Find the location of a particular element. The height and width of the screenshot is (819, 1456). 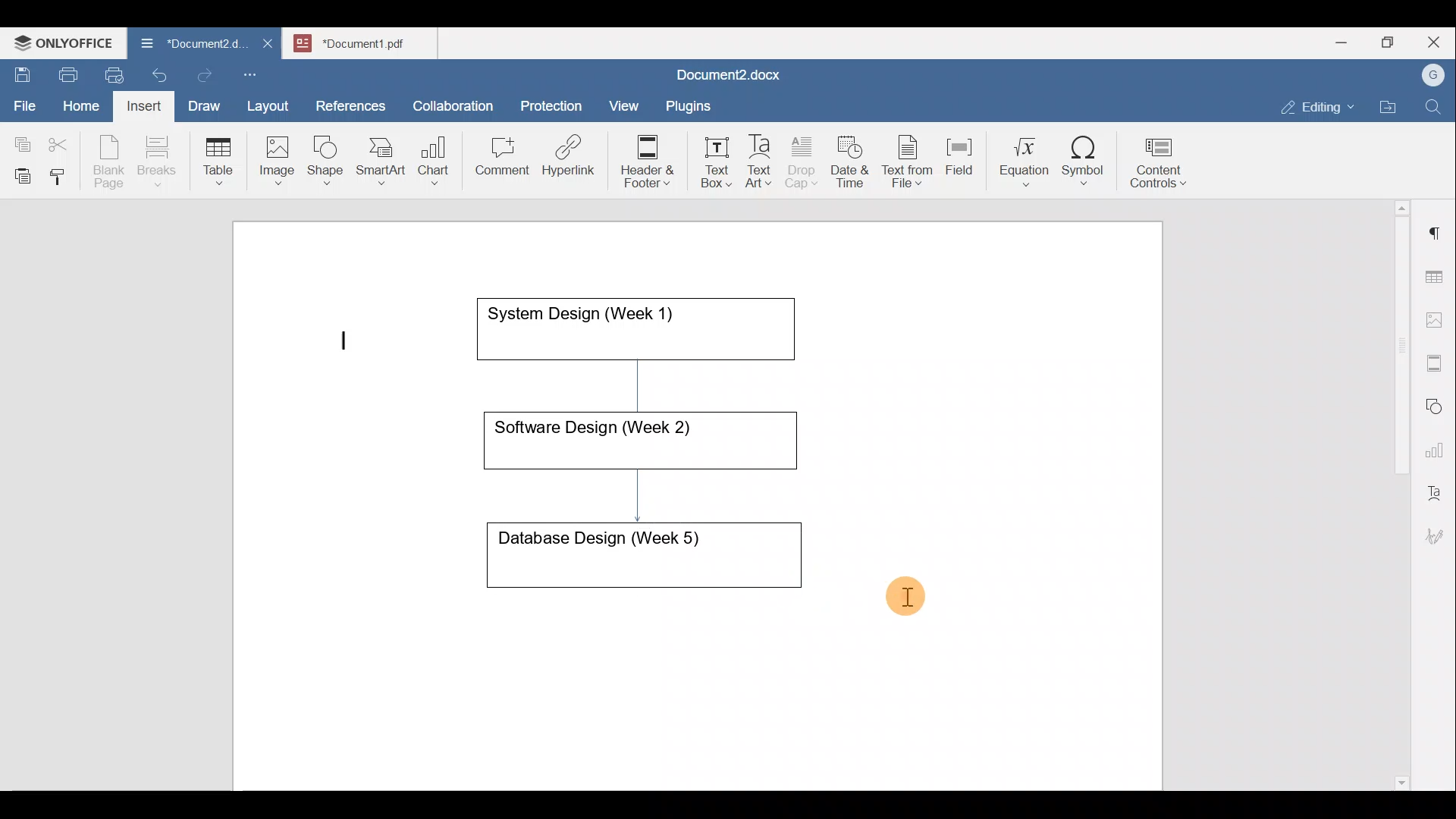

Protection is located at coordinates (556, 104).